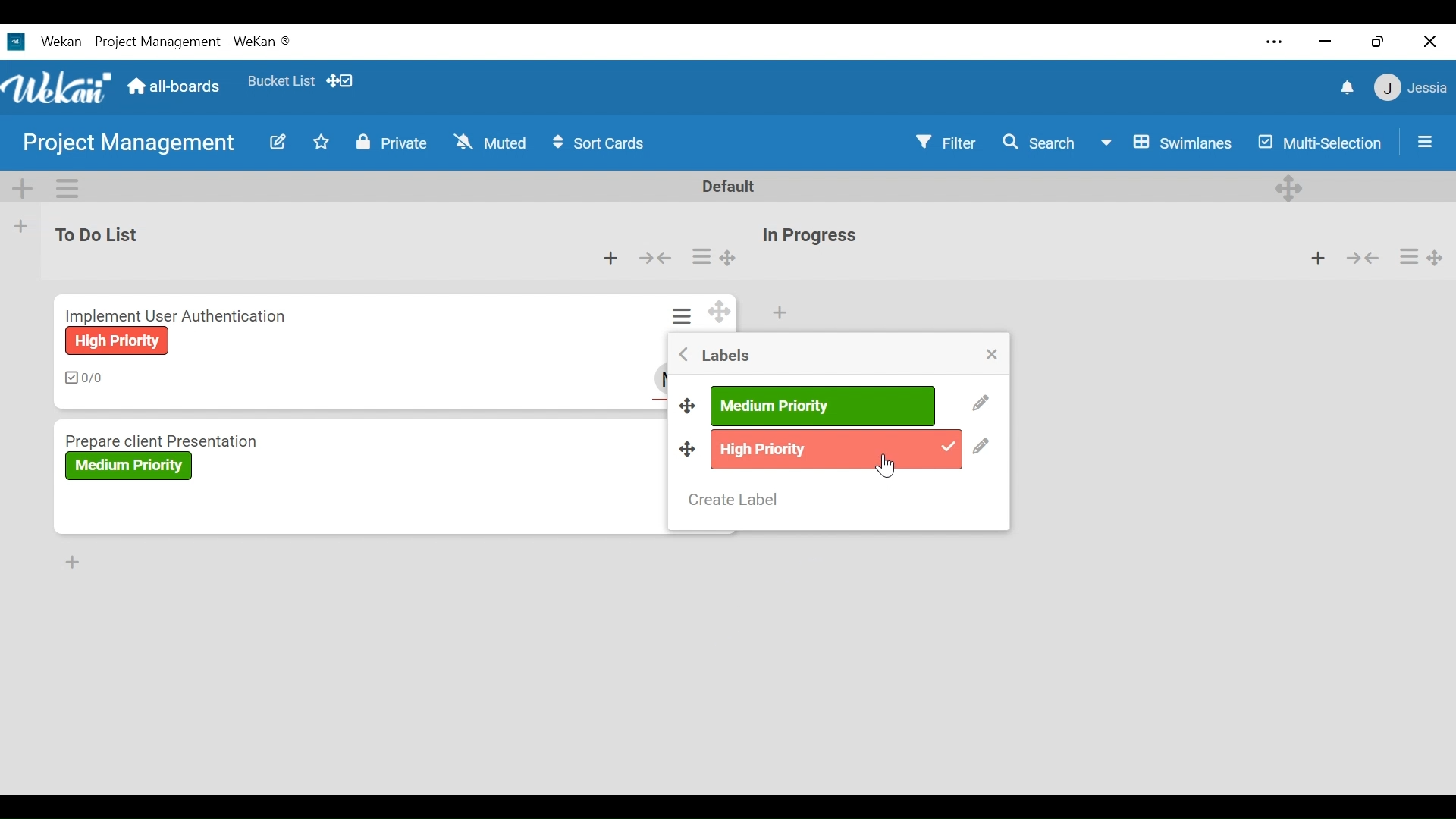  I want to click on Board Name, so click(130, 145).